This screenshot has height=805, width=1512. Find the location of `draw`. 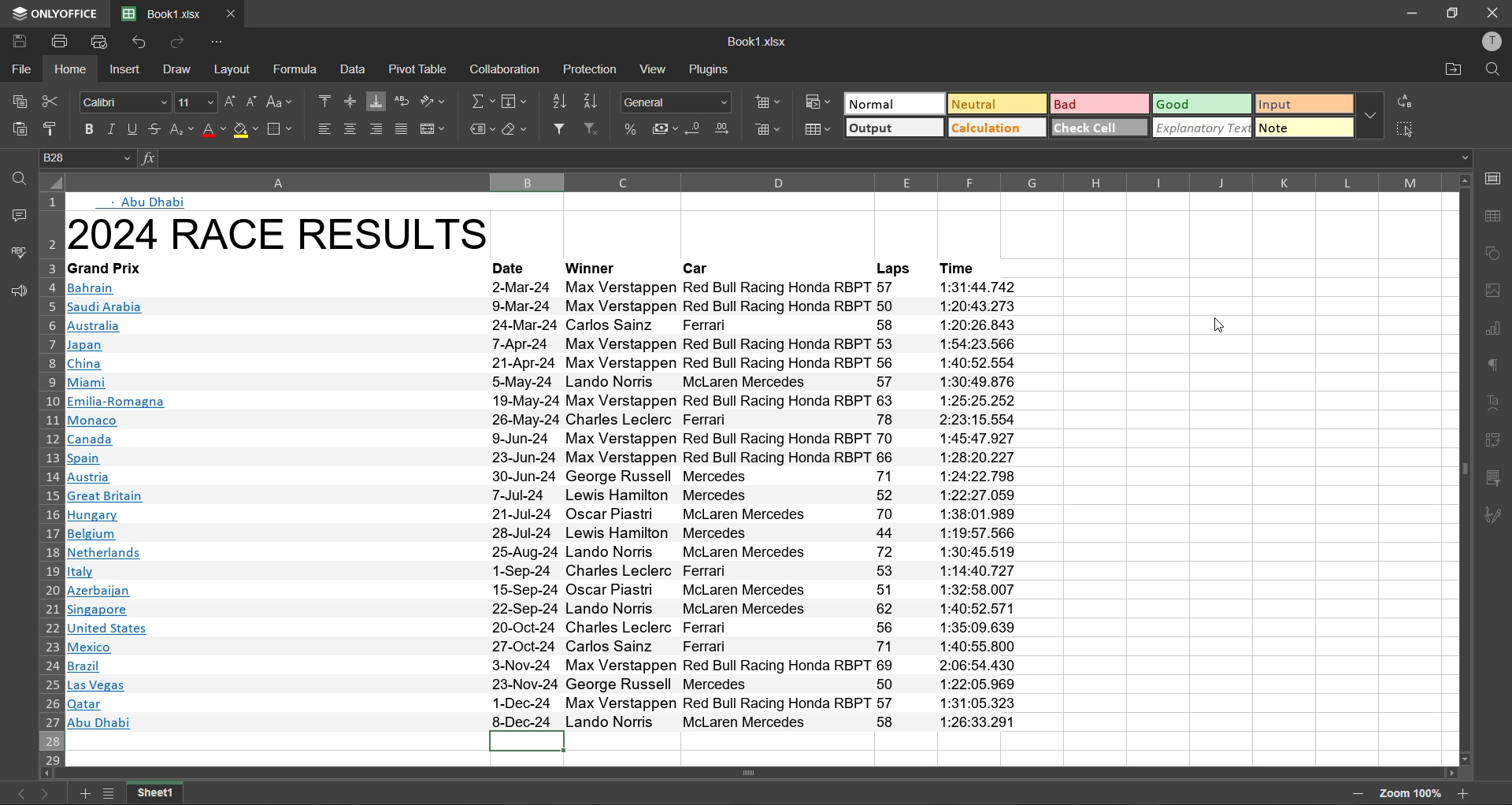

draw is located at coordinates (183, 72).